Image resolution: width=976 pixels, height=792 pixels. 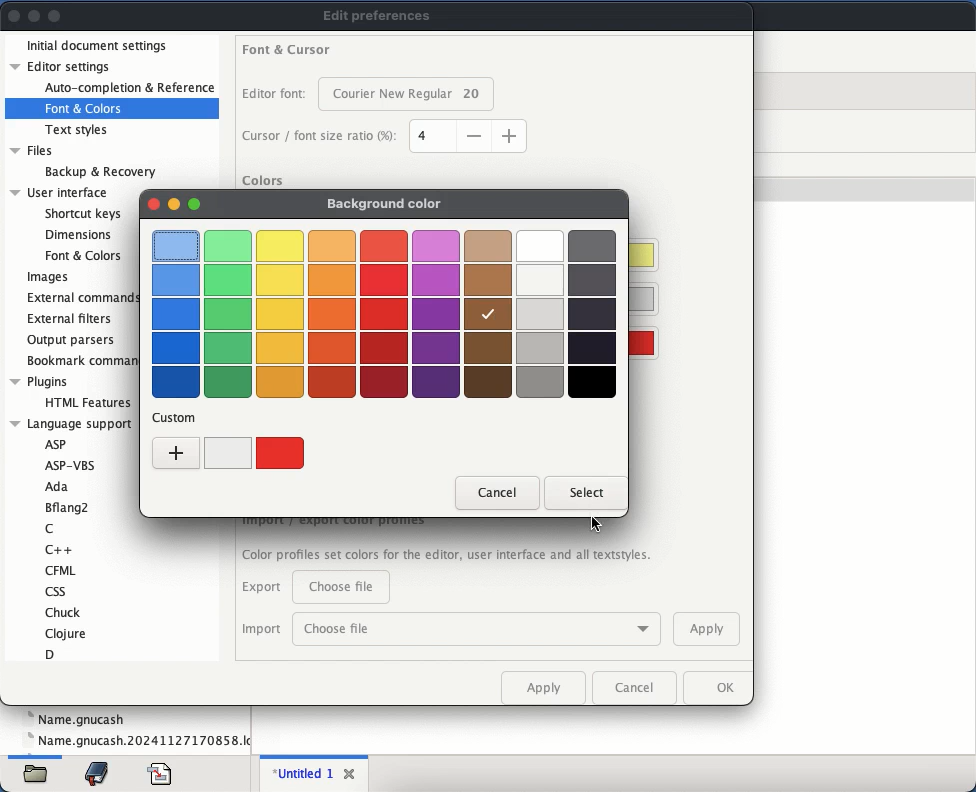 What do you see at coordinates (57, 487) in the screenshot?
I see `Ada` at bounding box center [57, 487].